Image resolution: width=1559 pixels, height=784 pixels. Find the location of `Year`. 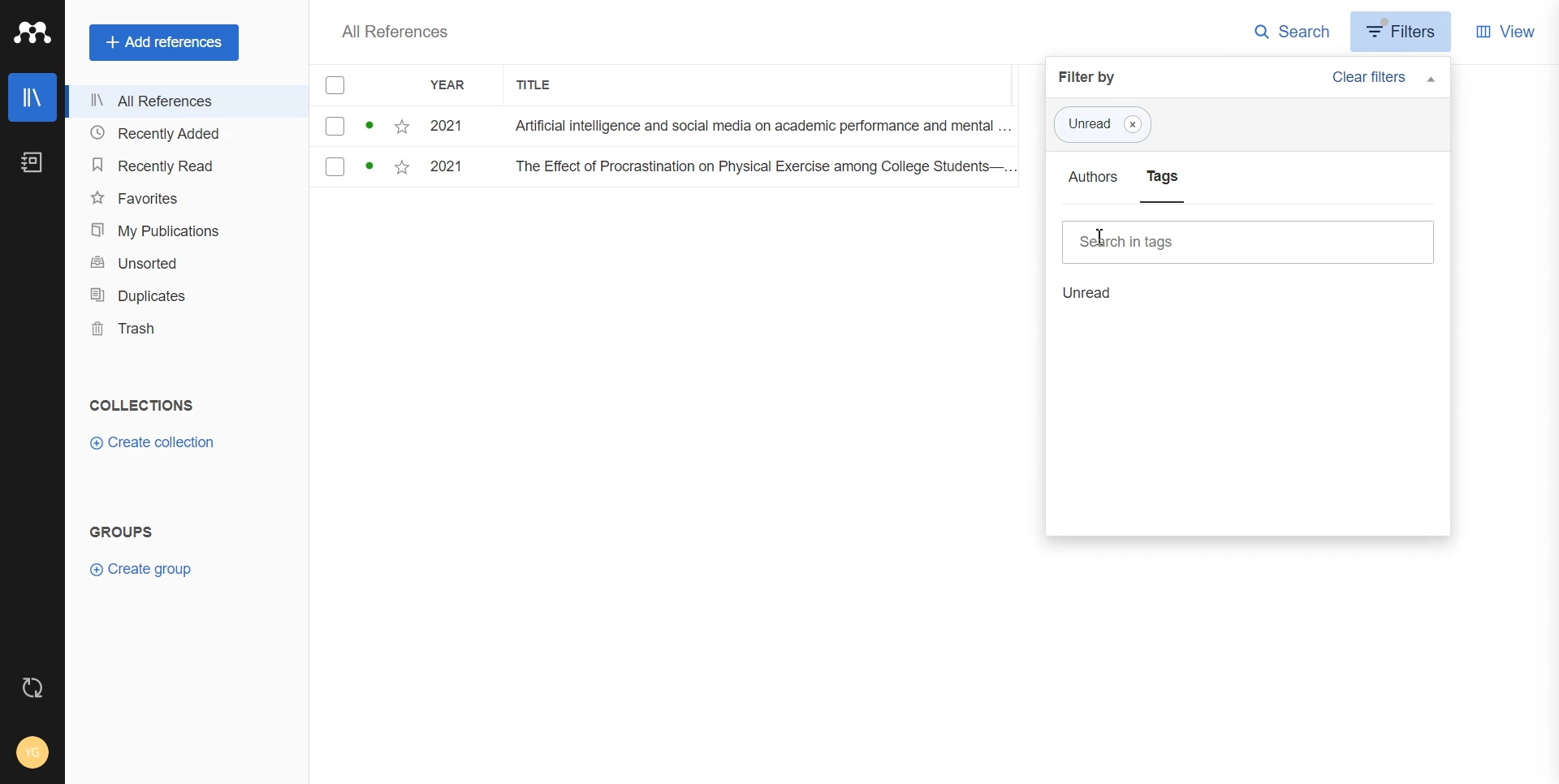

Year is located at coordinates (456, 86).